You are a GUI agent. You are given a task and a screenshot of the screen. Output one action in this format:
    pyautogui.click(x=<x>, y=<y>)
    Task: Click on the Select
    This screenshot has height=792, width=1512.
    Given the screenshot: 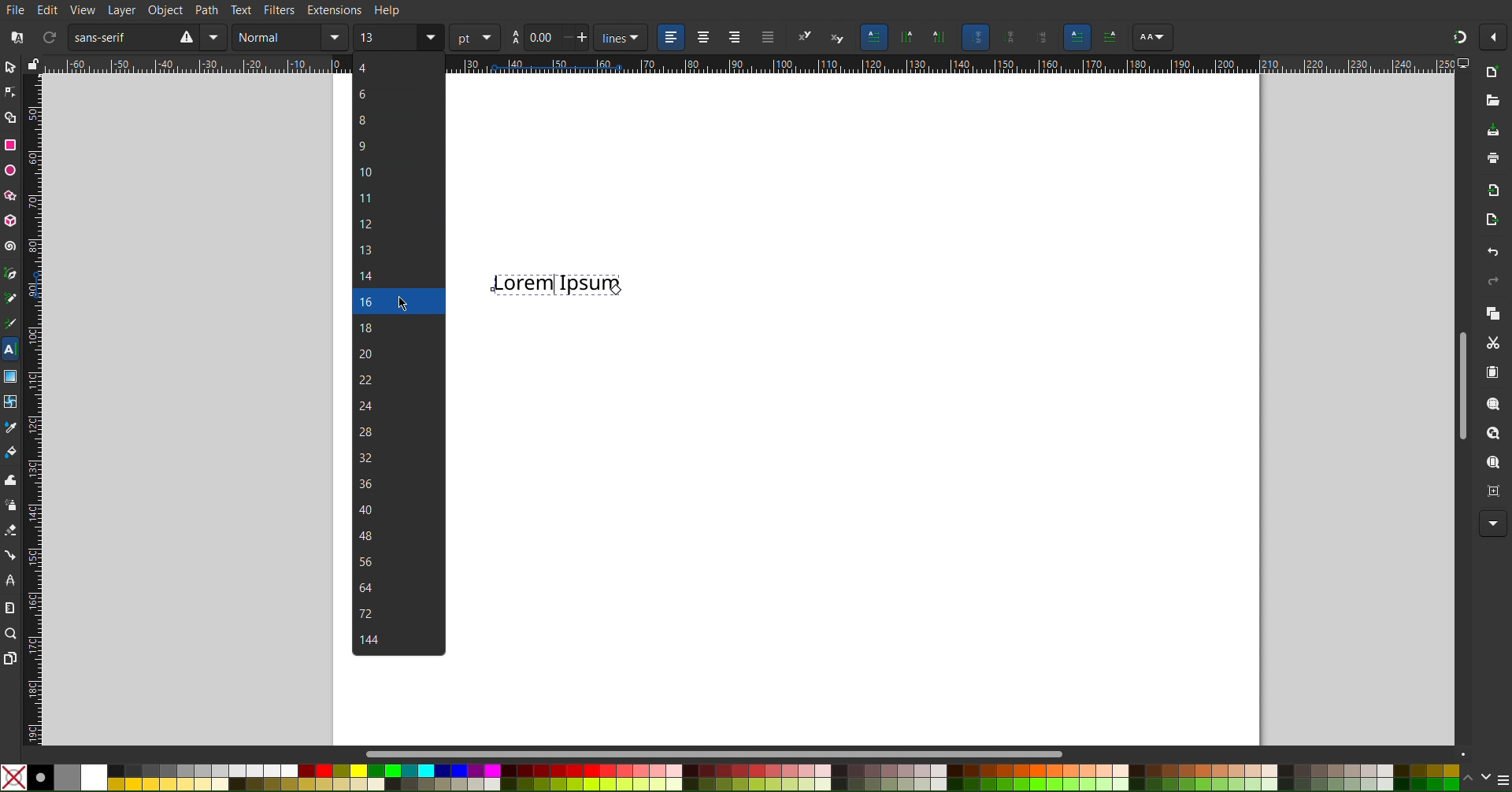 What is the action you would take?
    pyautogui.click(x=11, y=67)
    